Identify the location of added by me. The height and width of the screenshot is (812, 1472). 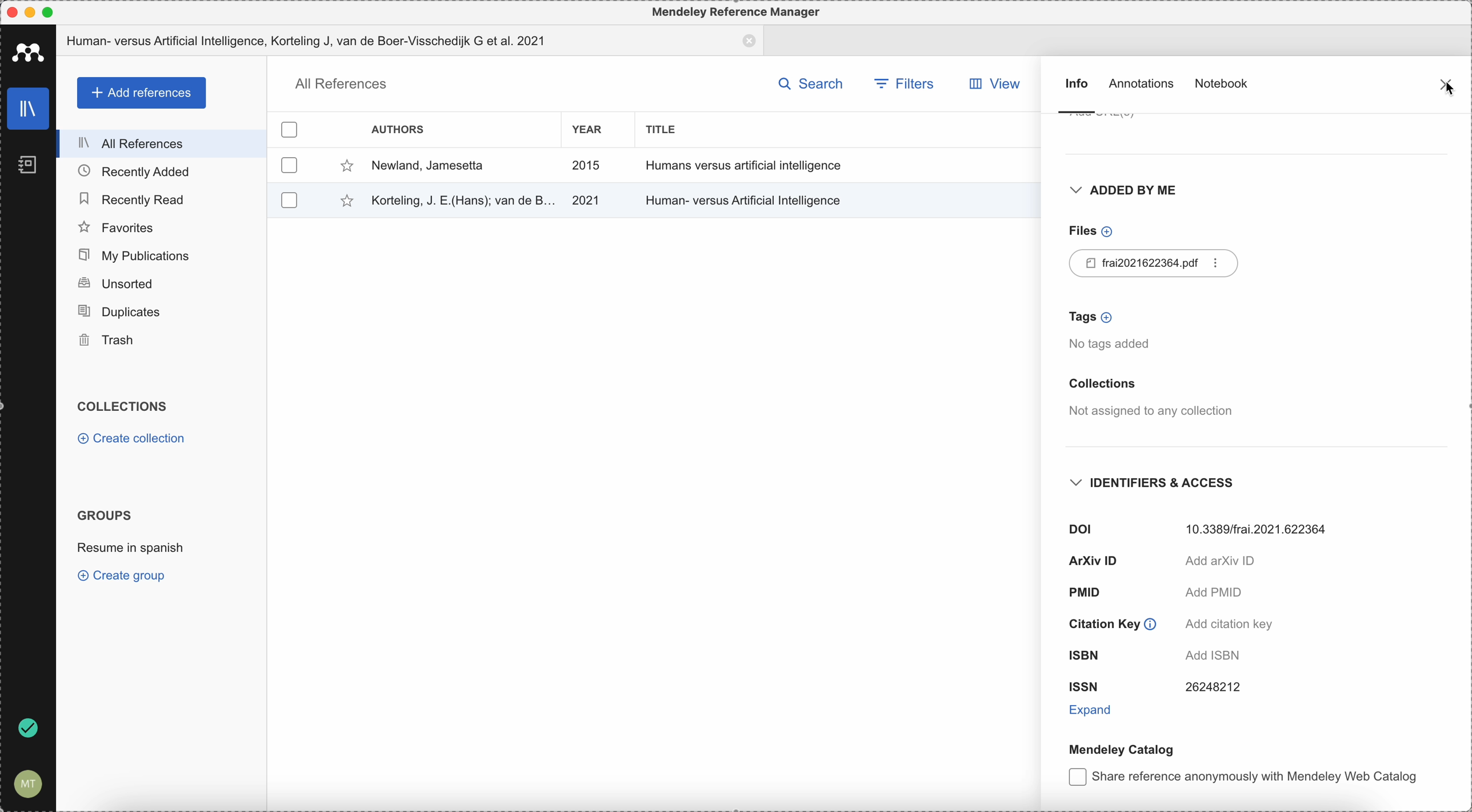
(1122, 193).